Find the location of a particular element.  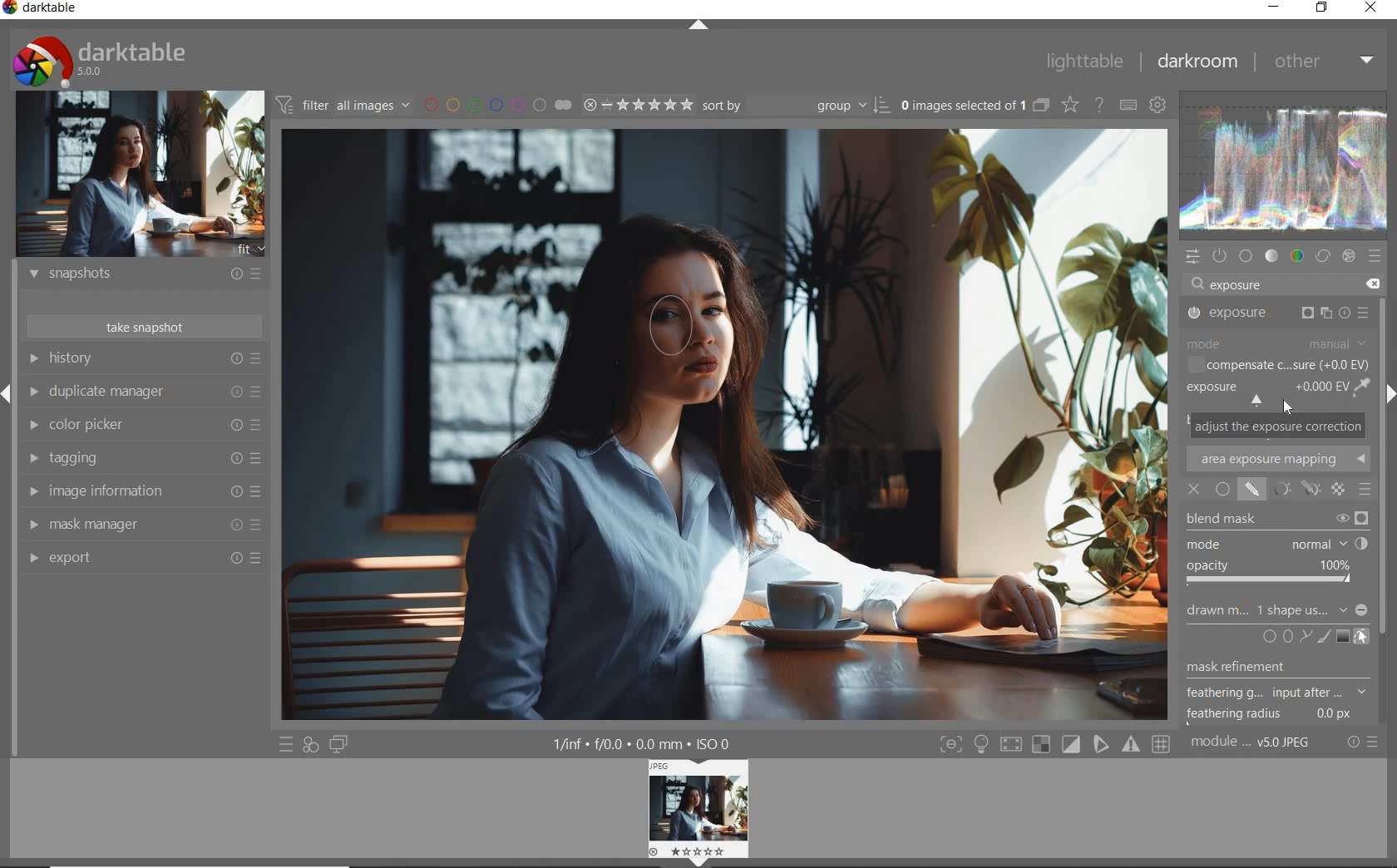

quick access to presets is located at coordinates (287, 743).